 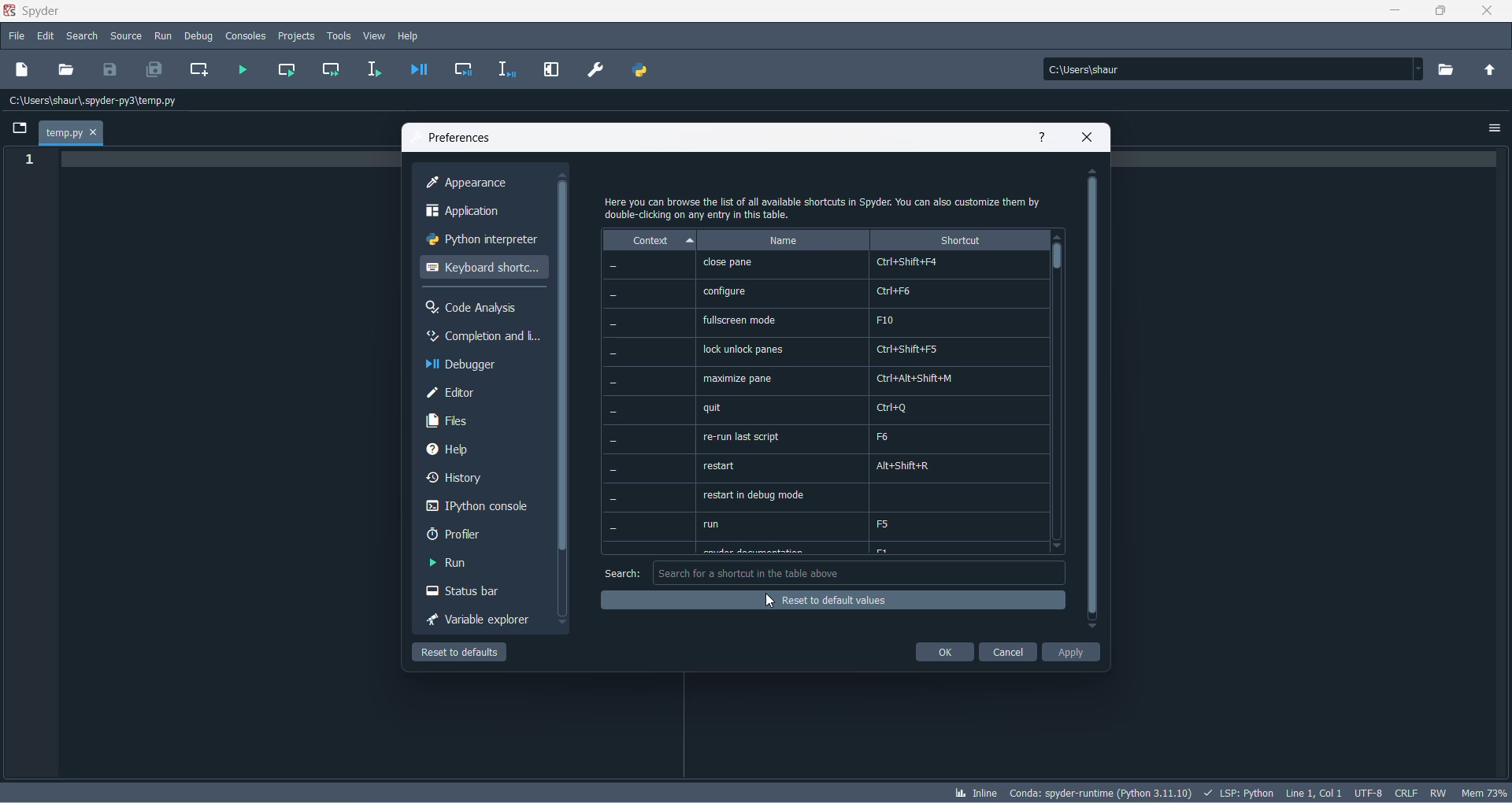 What do you see at coordinates (1450, 71) in the screenshot?
I see `working directory` at bounding box center [1450, 71].